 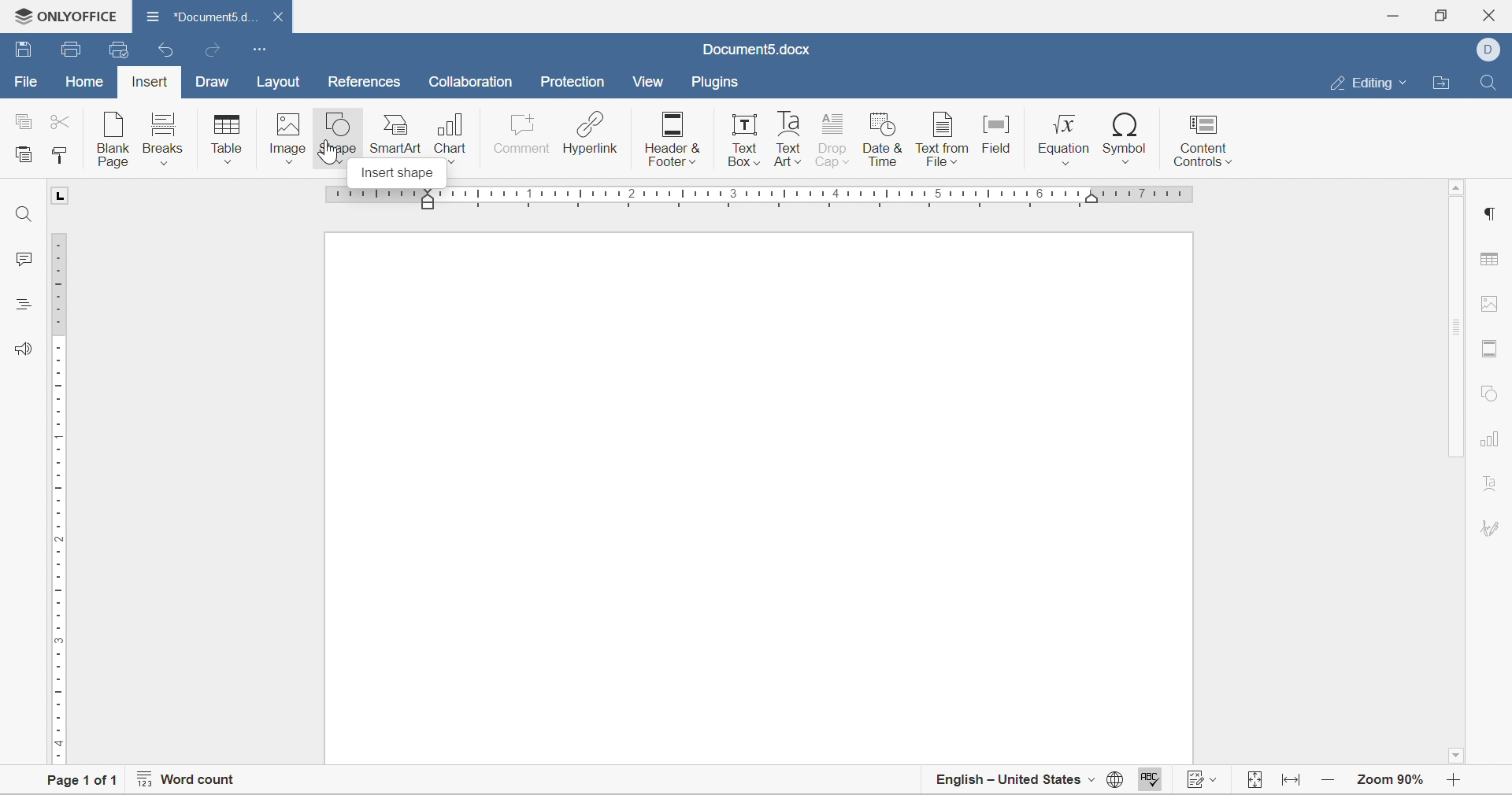 What do you see at coordinates (1491, 352) in the screenshot?
I see `header and footer settings` at bounding box center [1491, 352].